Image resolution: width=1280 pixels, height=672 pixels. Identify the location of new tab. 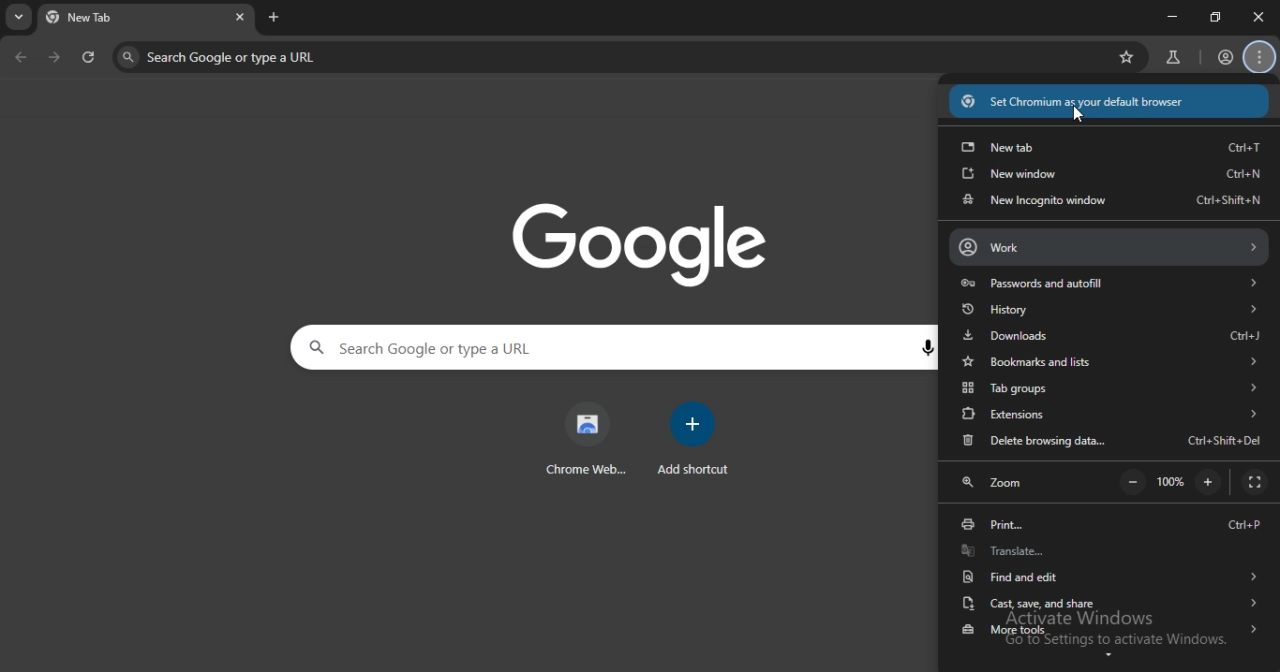
(1109, 144).